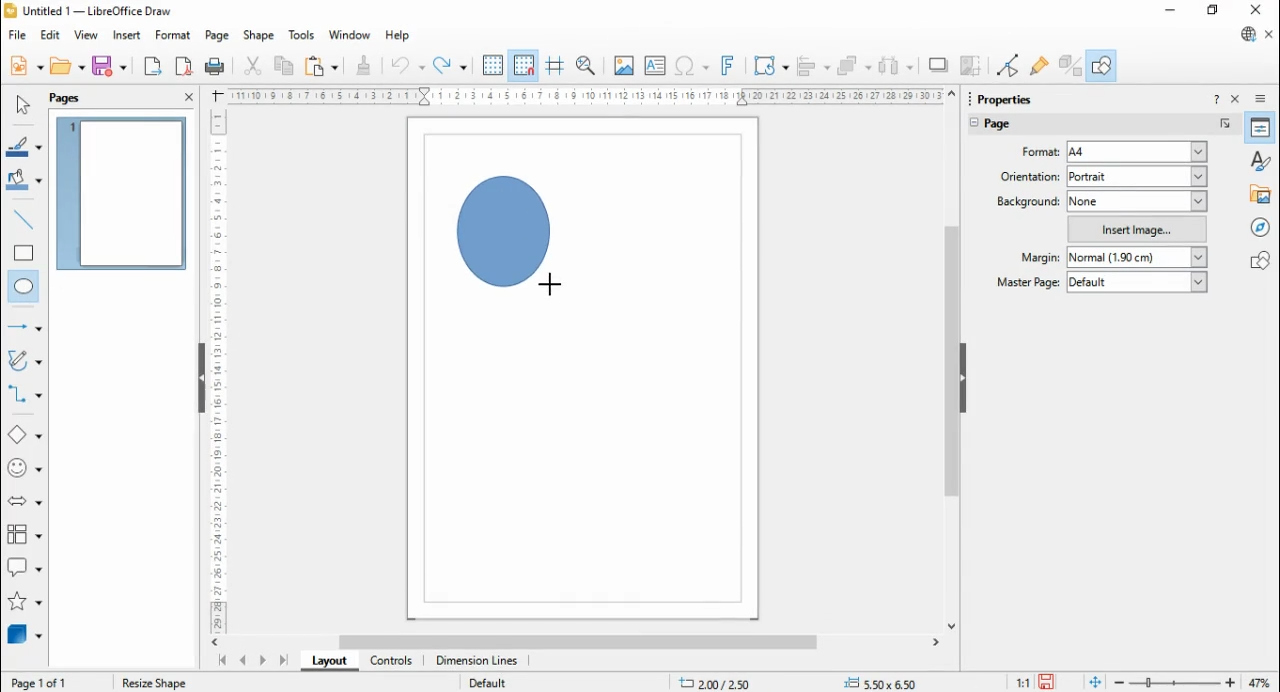 The image size is (1280, 692). Describe the element at coordinates (328, 660) in the screenshot. I see `layout` at that location.